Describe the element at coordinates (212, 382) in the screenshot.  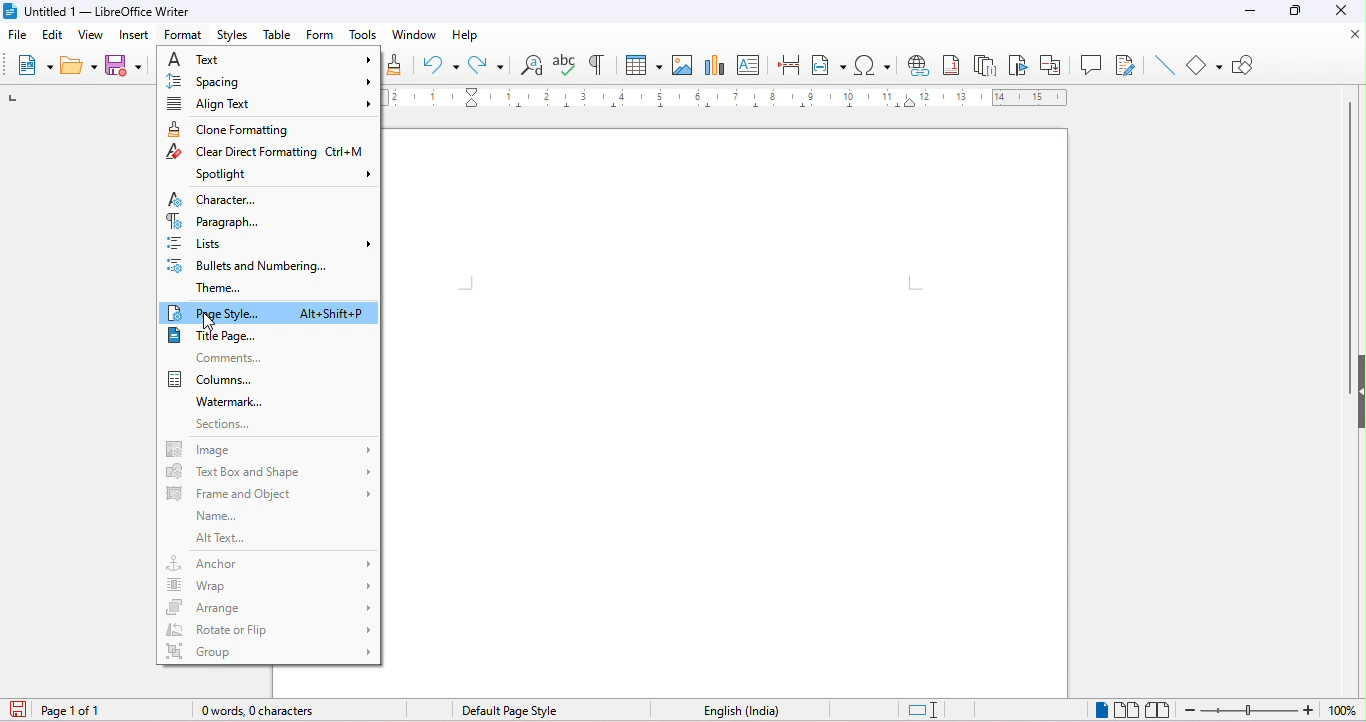
I see `columns` at that location.